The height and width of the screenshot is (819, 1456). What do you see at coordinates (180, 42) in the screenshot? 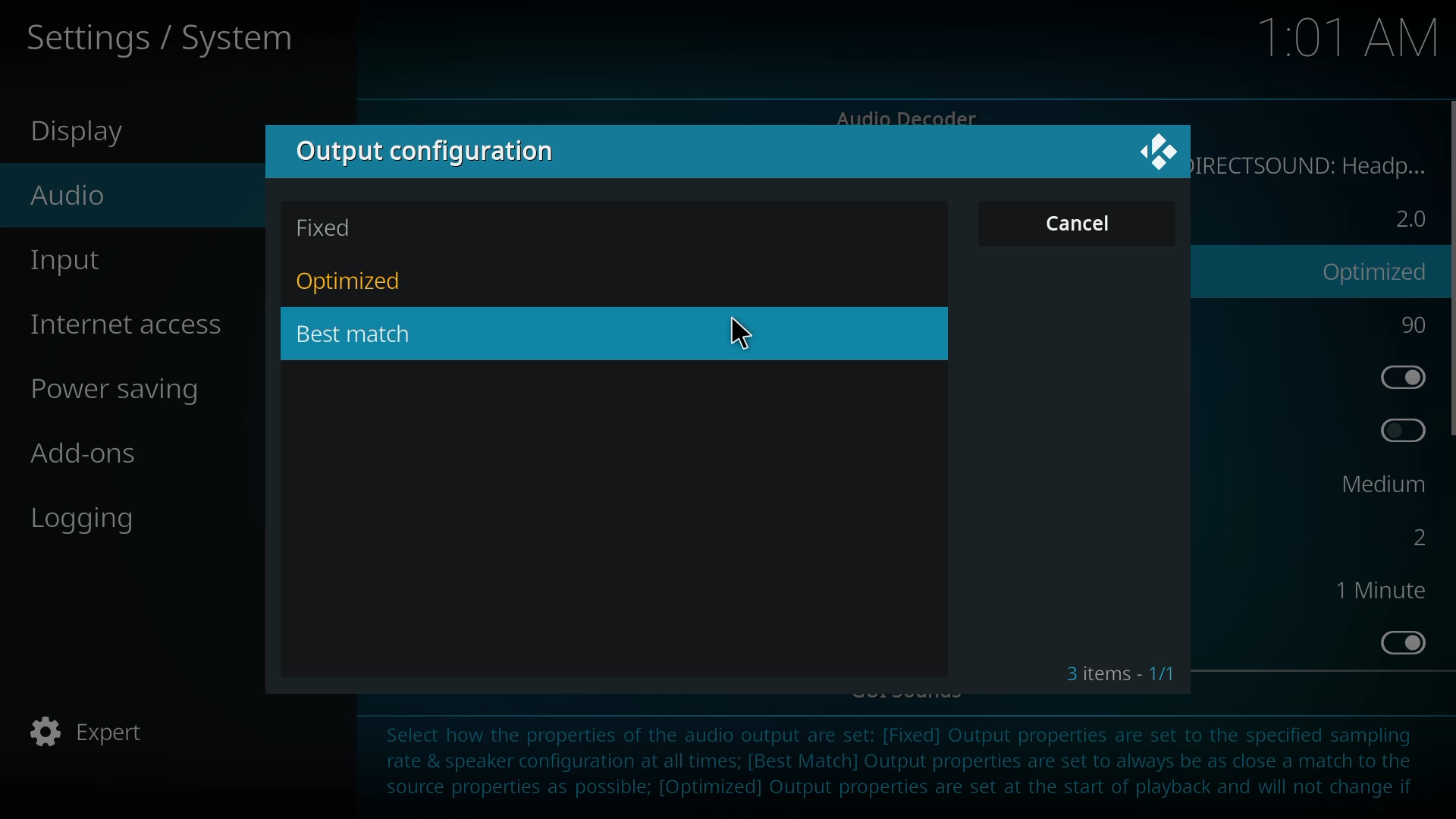
I see `settings/system` at bounding box center [180, 42].